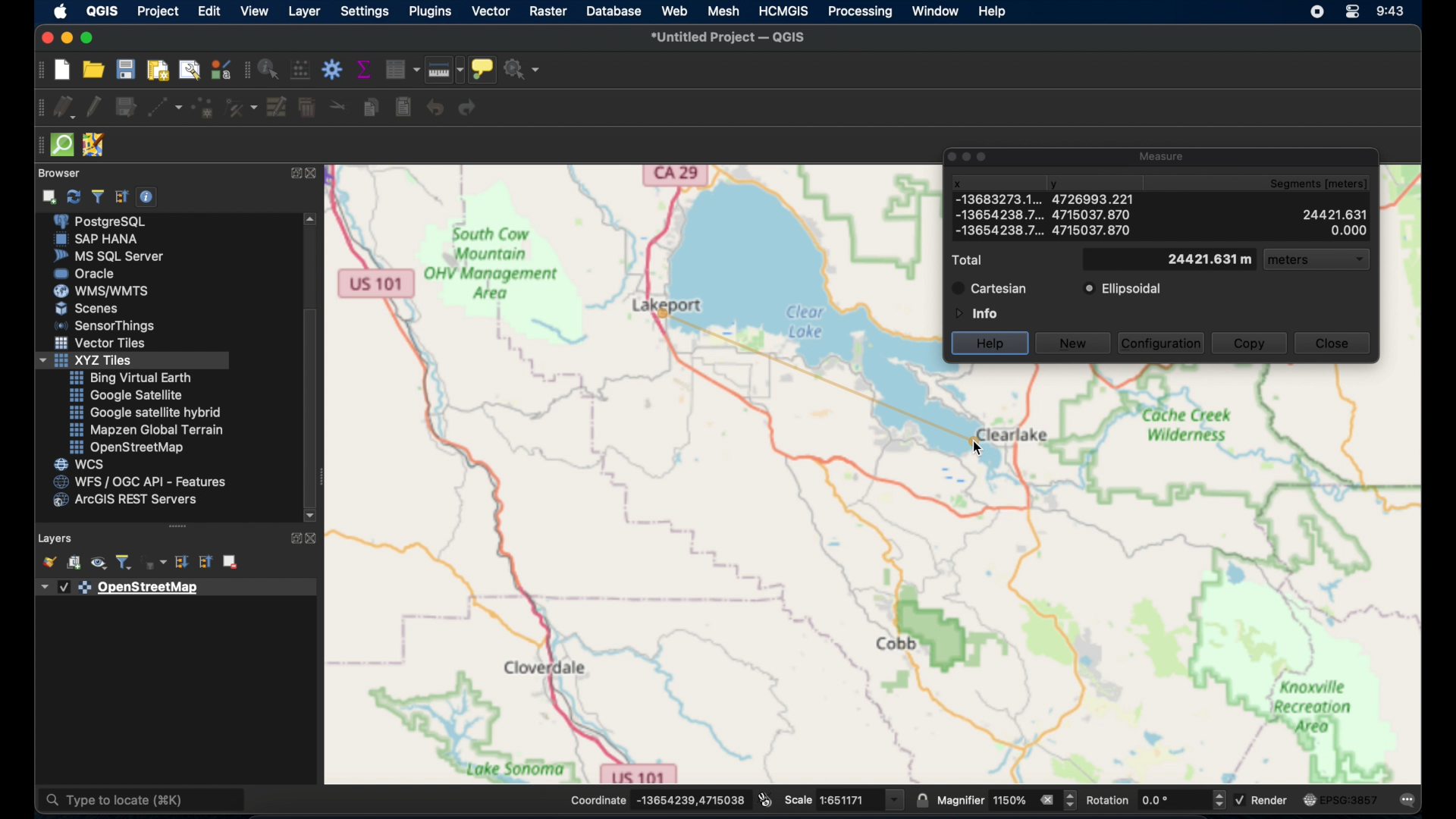 The width and height of the screenshot is (1456, 819). What do you see at coordinates (203, 108) in the screenshot?
I see `add point features` at bounding box center [203, 108].